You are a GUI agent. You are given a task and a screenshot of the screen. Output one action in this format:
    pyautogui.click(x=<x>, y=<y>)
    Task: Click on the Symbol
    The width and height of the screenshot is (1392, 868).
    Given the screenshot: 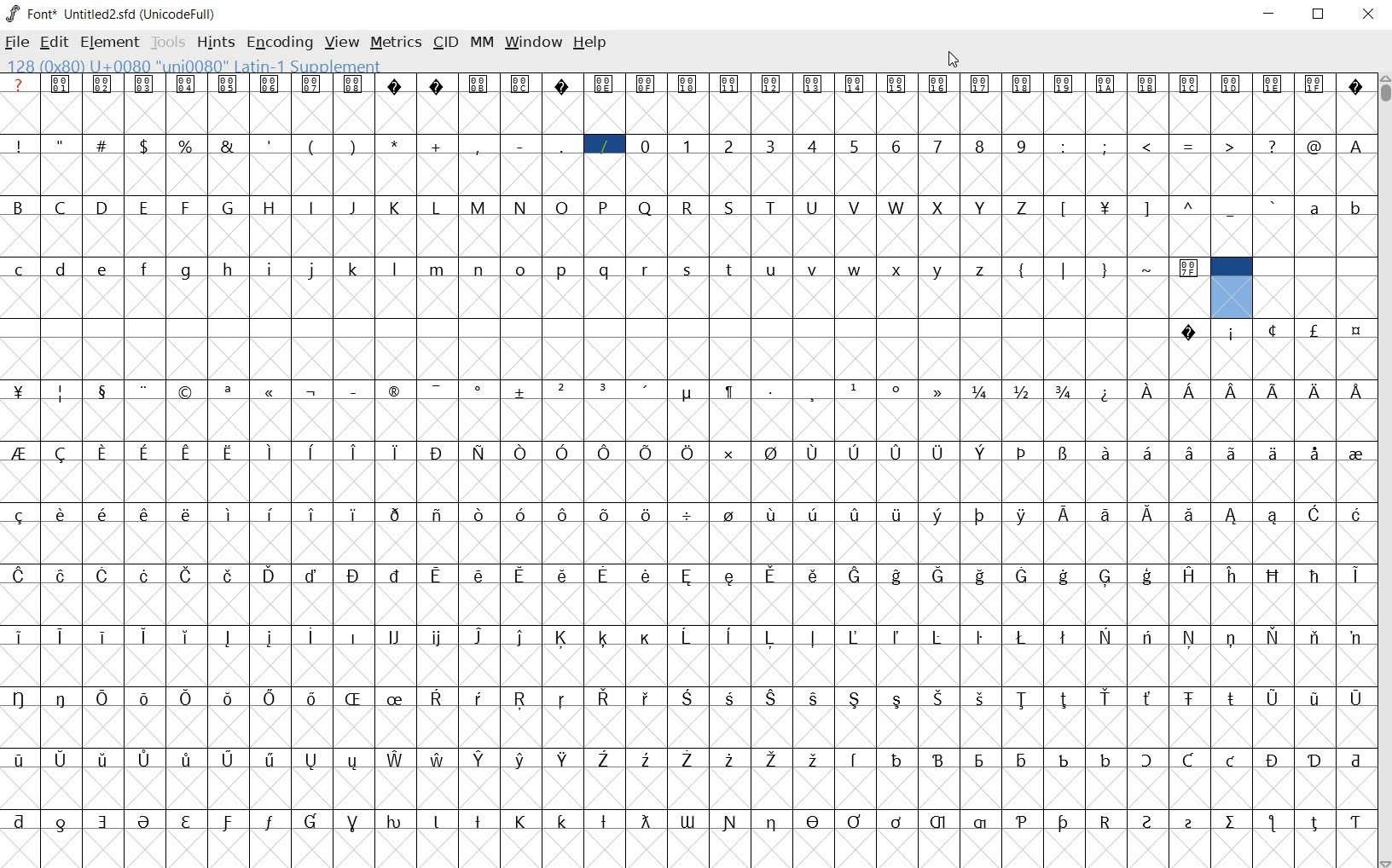 What is the action you would take?
    pyautogui.click(x=479, y=575)
    